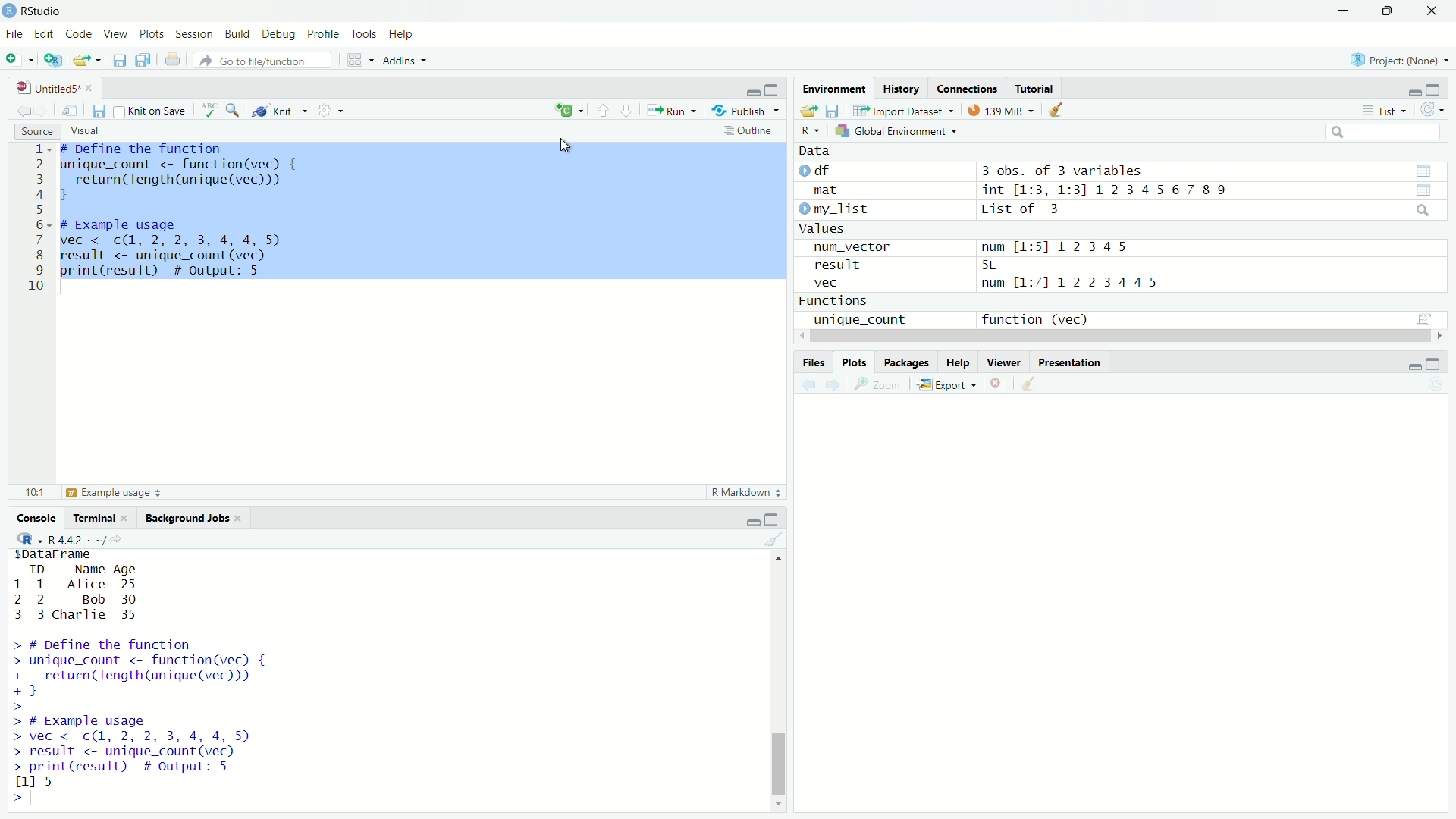 The image size is (1456, 819). What do you see at coordinates (1433, 12) in the screenshot?
I see `close app` at bounding box center [1433, 12].